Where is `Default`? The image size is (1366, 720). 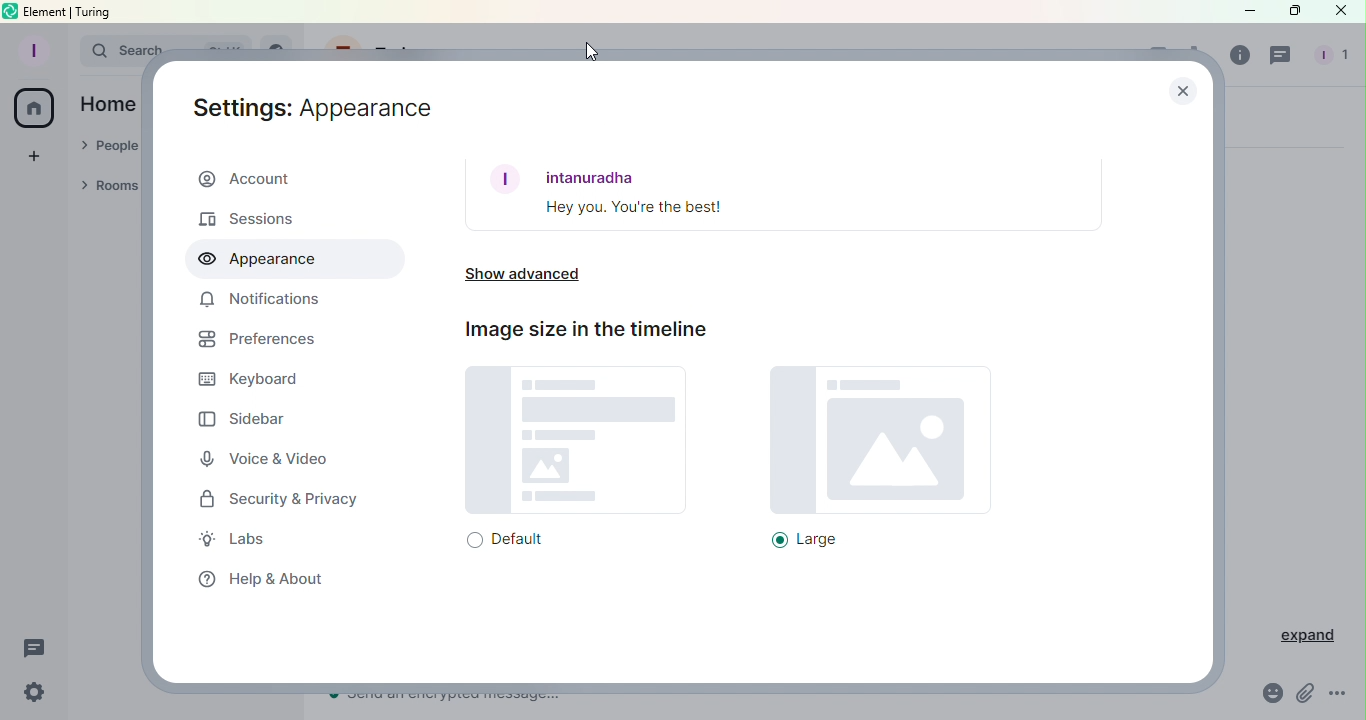 Default is located at coordinates (570, 459).